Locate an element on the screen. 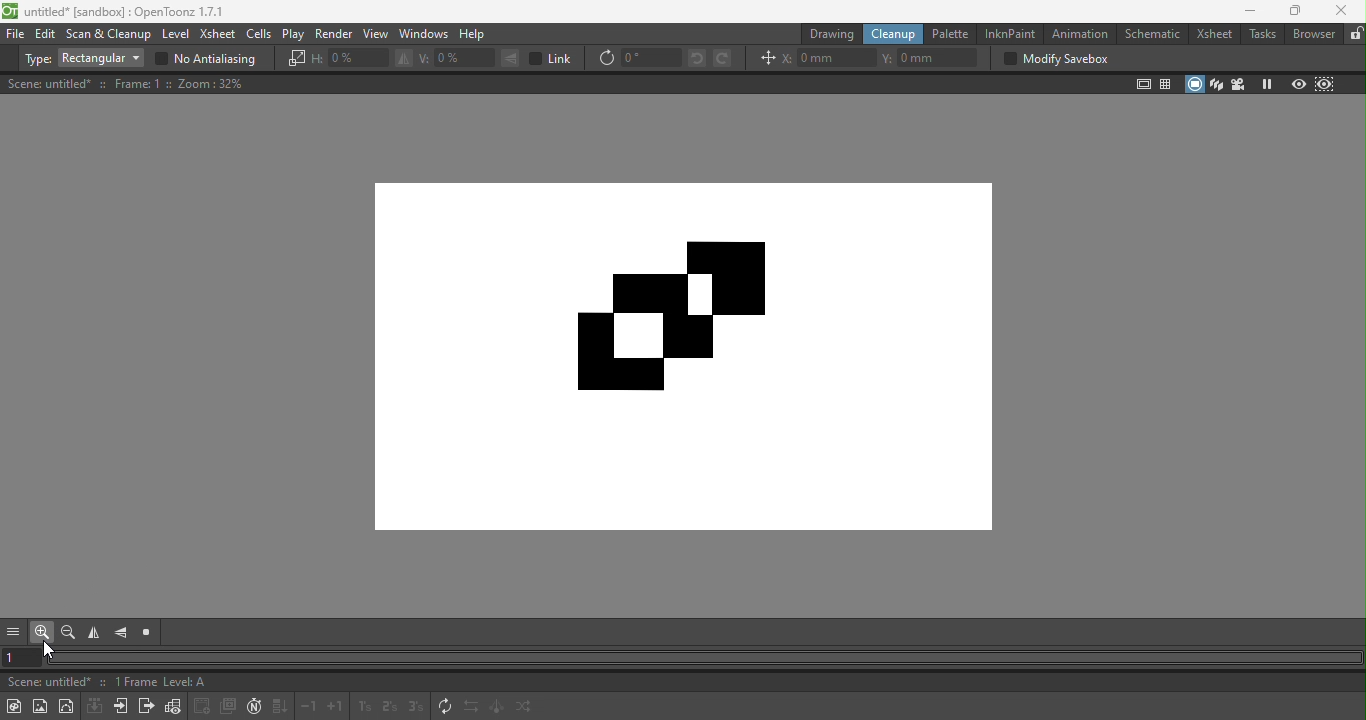  Zoom in is located at coordinates (41, 634).